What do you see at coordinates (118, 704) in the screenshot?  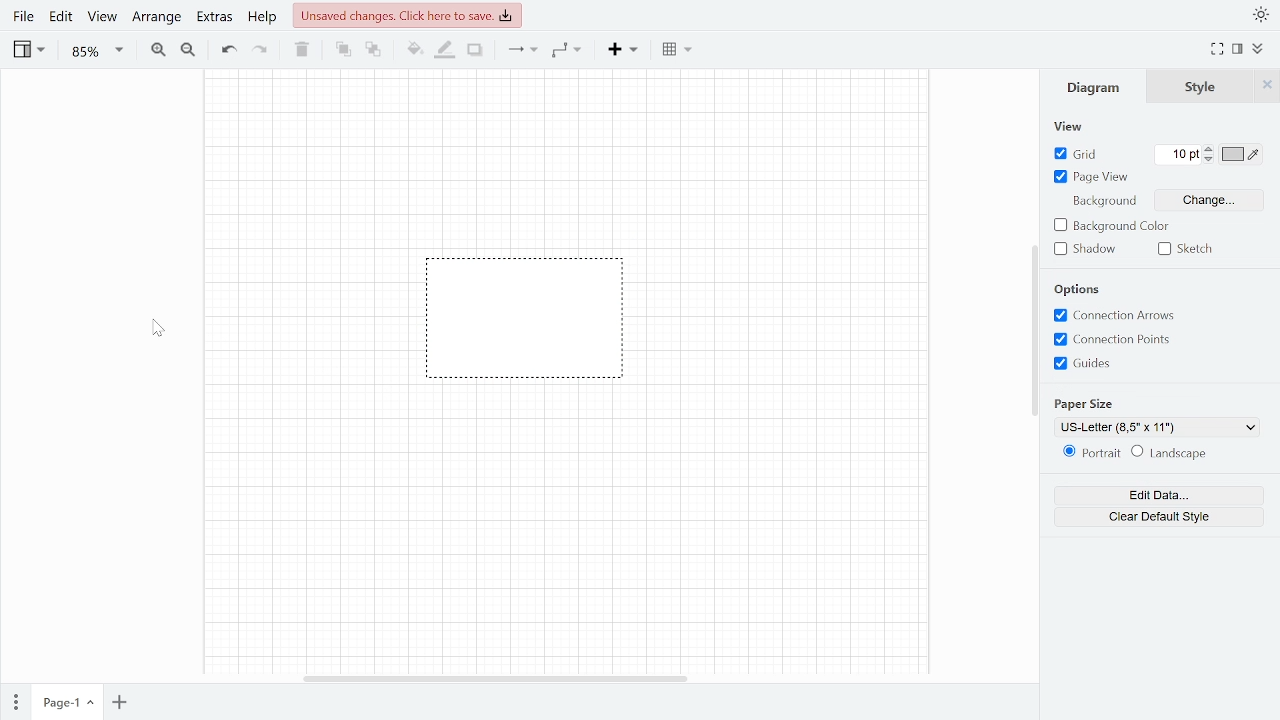 I see `Add page` at bounding box center [118, 704].